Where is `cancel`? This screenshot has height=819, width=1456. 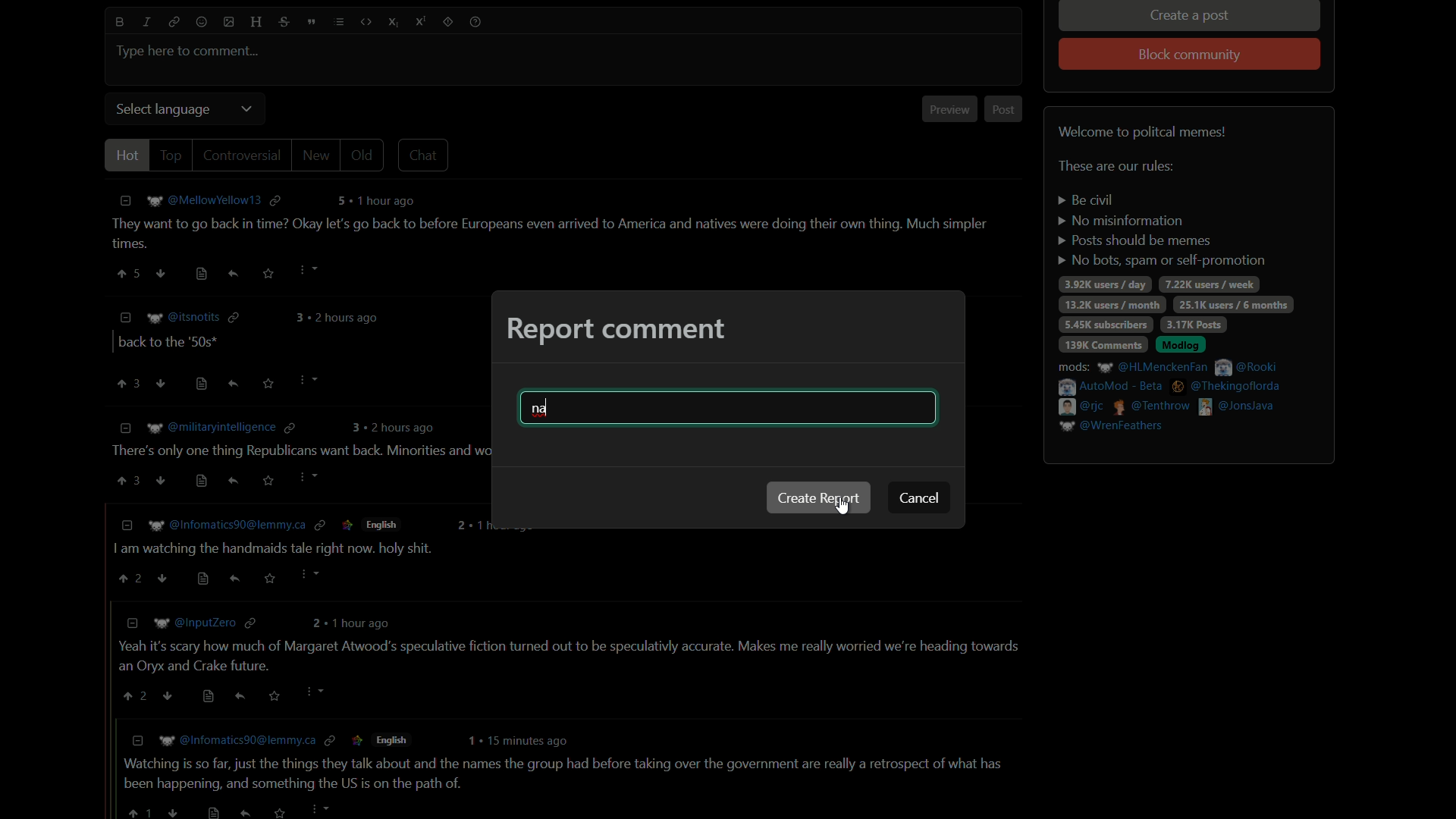 cancel is located at coordinates (920, 497).